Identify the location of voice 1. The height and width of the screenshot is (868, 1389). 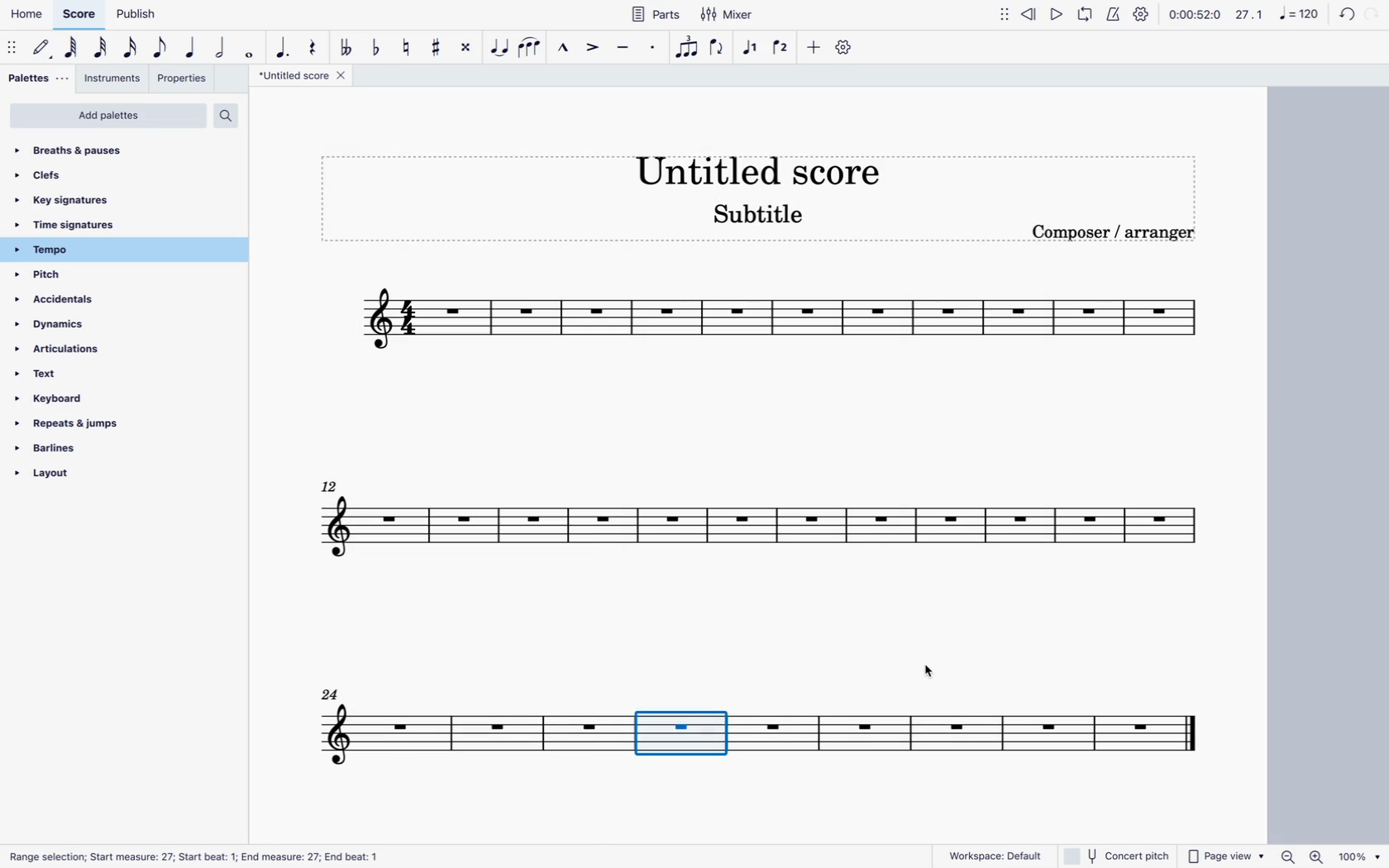
(752, 46).